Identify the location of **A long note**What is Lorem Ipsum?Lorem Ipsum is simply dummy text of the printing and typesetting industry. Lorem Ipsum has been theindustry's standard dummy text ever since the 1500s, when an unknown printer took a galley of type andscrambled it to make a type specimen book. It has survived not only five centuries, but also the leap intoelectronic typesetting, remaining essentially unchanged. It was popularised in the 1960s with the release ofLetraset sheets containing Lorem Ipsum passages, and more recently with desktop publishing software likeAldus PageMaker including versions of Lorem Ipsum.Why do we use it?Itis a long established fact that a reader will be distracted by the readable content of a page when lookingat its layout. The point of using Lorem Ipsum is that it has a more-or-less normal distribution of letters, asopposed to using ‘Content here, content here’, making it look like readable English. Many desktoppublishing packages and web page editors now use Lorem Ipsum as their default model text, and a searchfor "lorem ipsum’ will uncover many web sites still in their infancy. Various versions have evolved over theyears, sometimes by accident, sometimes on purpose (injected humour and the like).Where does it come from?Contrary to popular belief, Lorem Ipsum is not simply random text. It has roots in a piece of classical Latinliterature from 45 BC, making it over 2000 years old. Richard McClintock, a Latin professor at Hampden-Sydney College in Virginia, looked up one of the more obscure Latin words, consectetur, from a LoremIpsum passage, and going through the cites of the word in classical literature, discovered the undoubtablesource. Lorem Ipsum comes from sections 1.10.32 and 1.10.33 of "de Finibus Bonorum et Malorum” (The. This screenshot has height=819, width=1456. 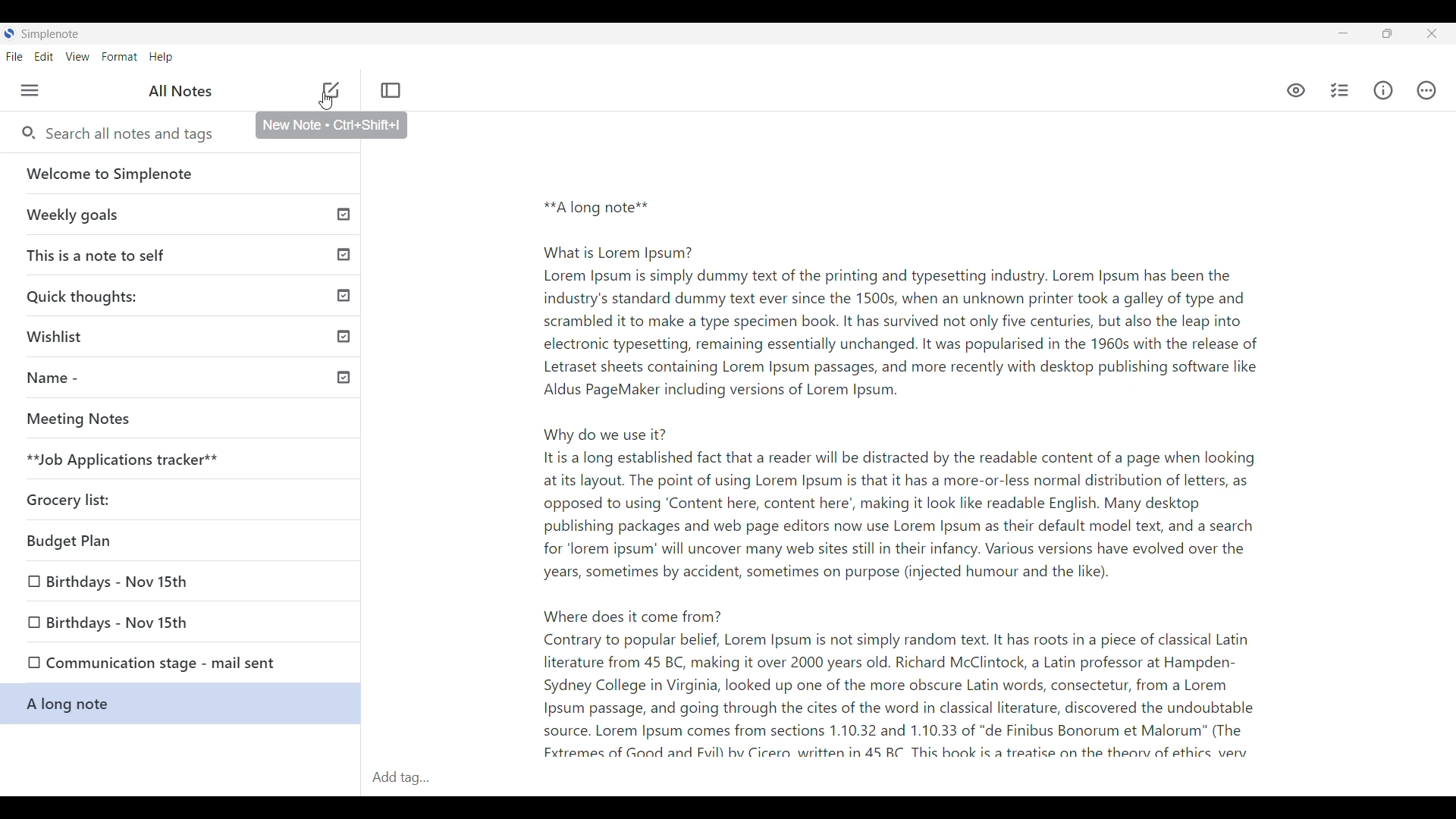
(912, 483).